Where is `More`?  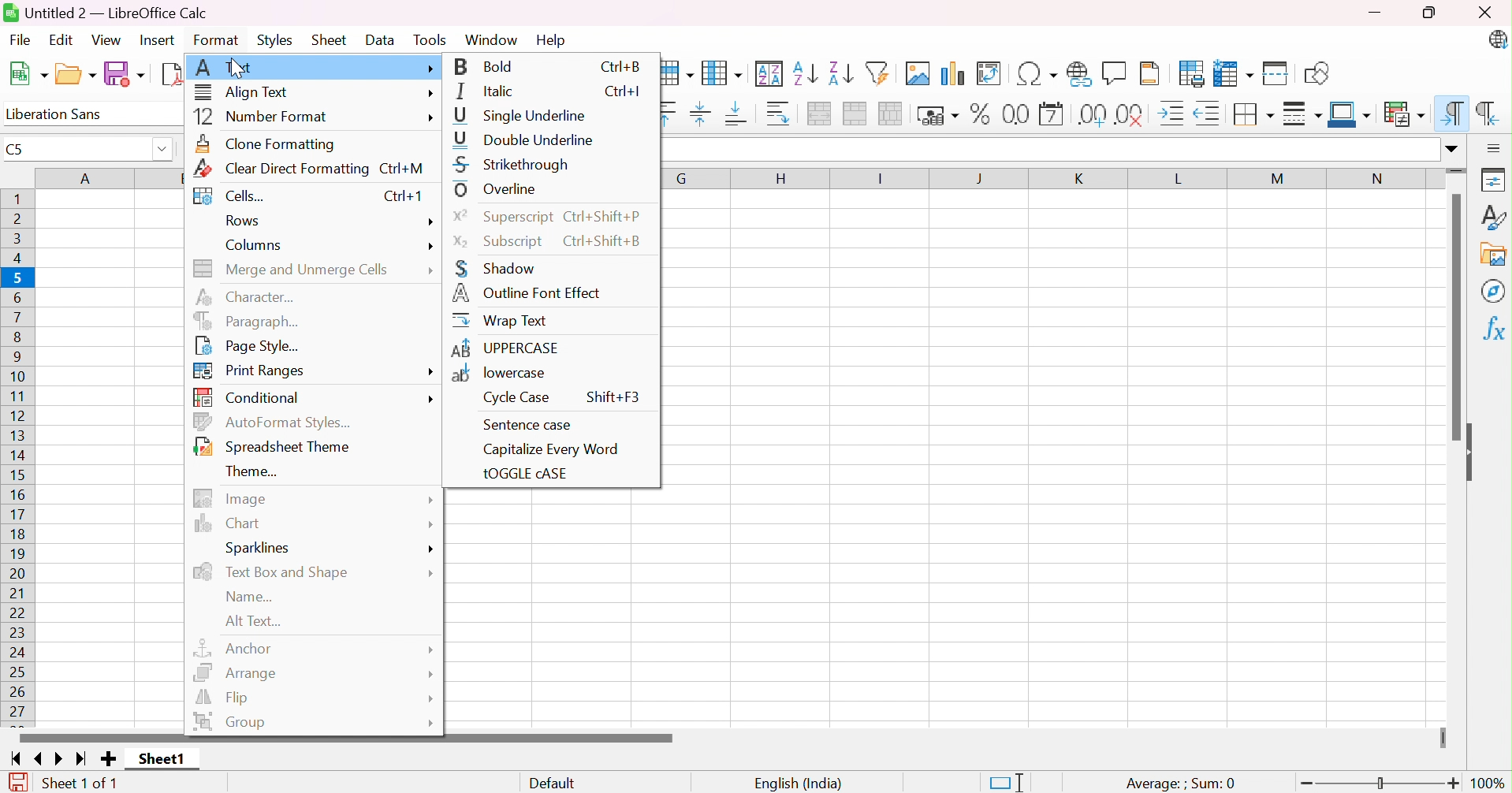
More is located at coordinates (431, 498).